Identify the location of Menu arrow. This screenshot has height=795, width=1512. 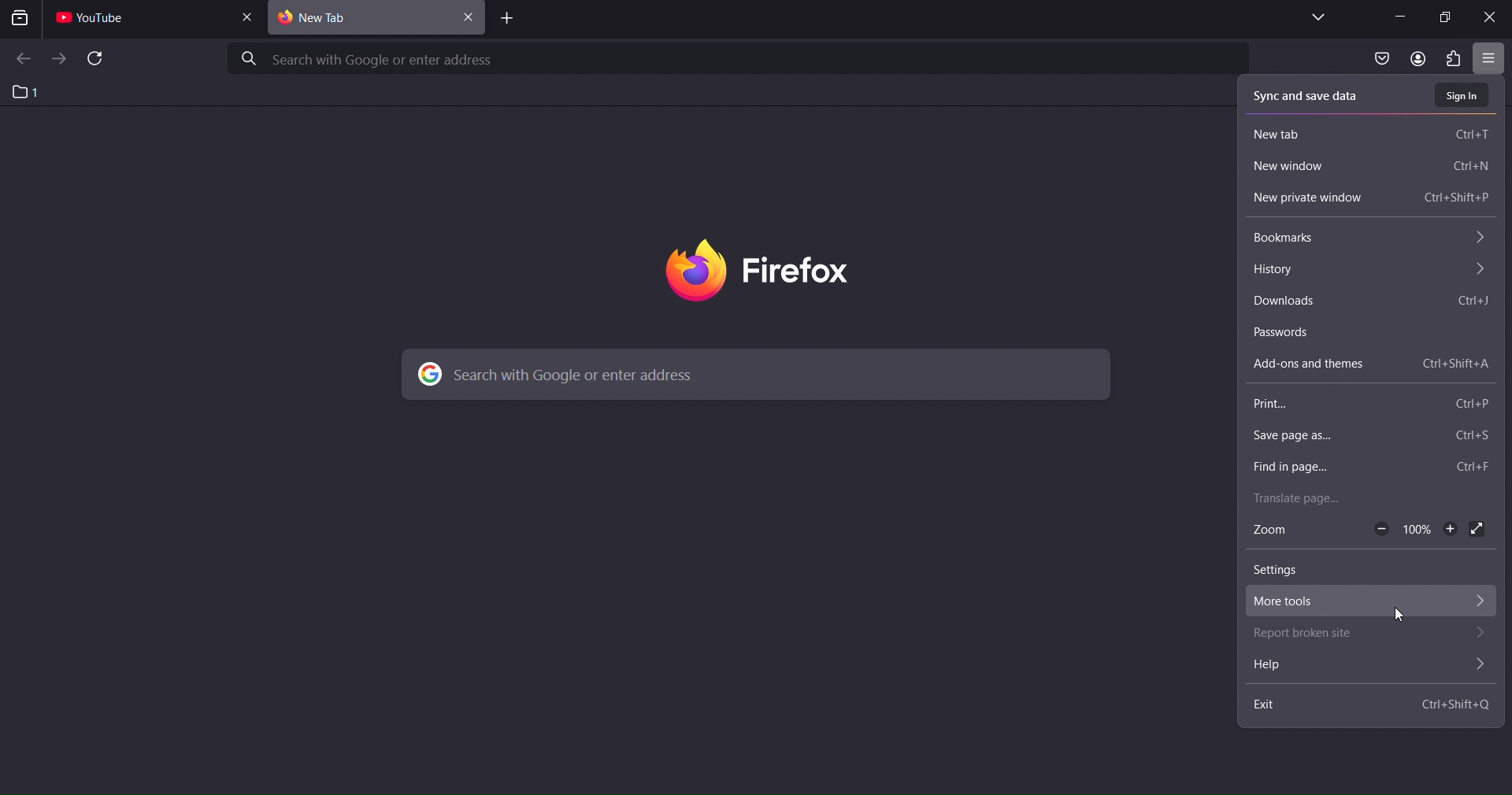
(1480, 664).